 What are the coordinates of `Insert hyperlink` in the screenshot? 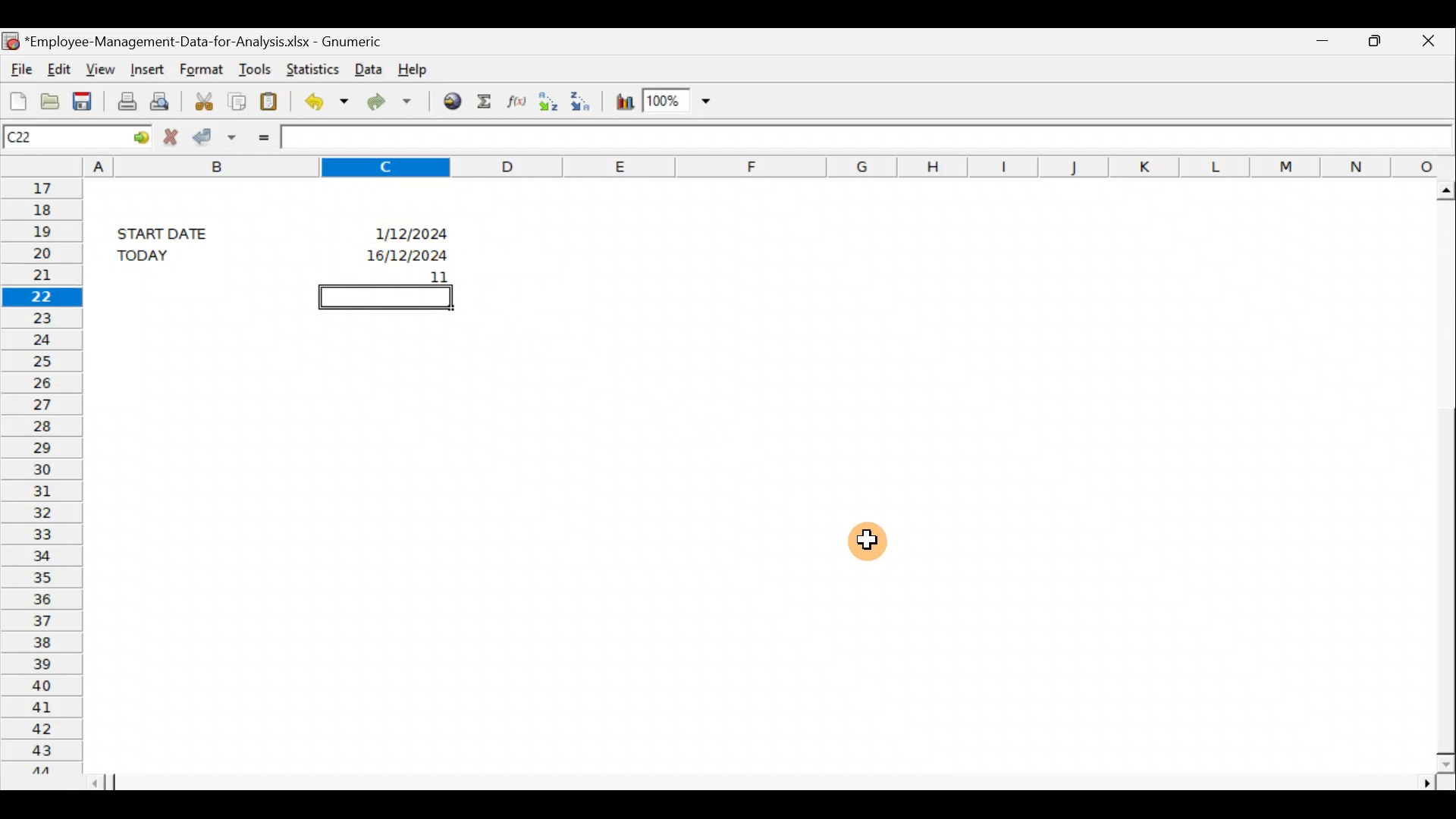 It's located at (447, 102).